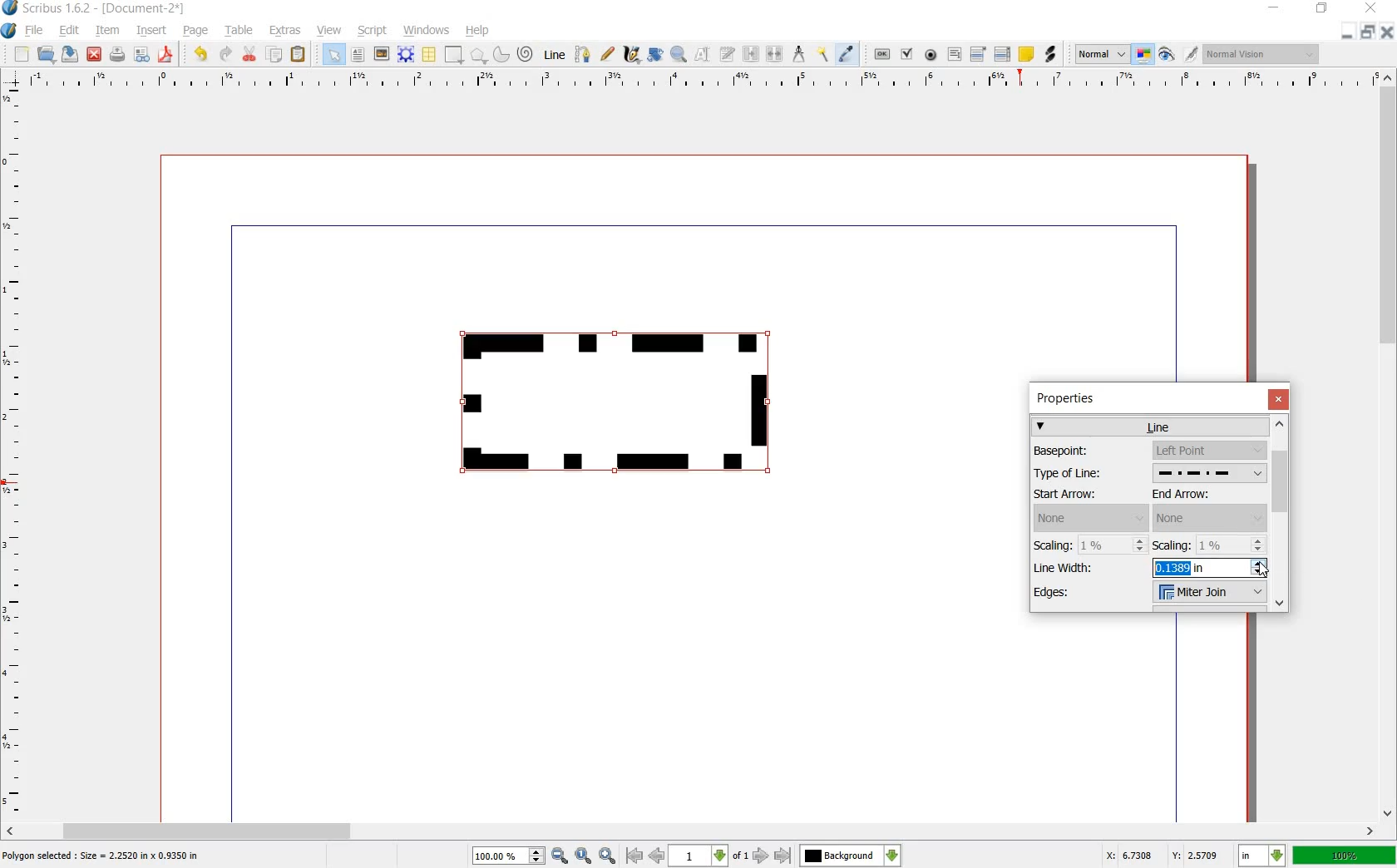 This screenshot has width=1397, height=868. What do you see at coordinates (509, 856) in the screenshot?
I see `100.00%` at bounding box center [509, 856].